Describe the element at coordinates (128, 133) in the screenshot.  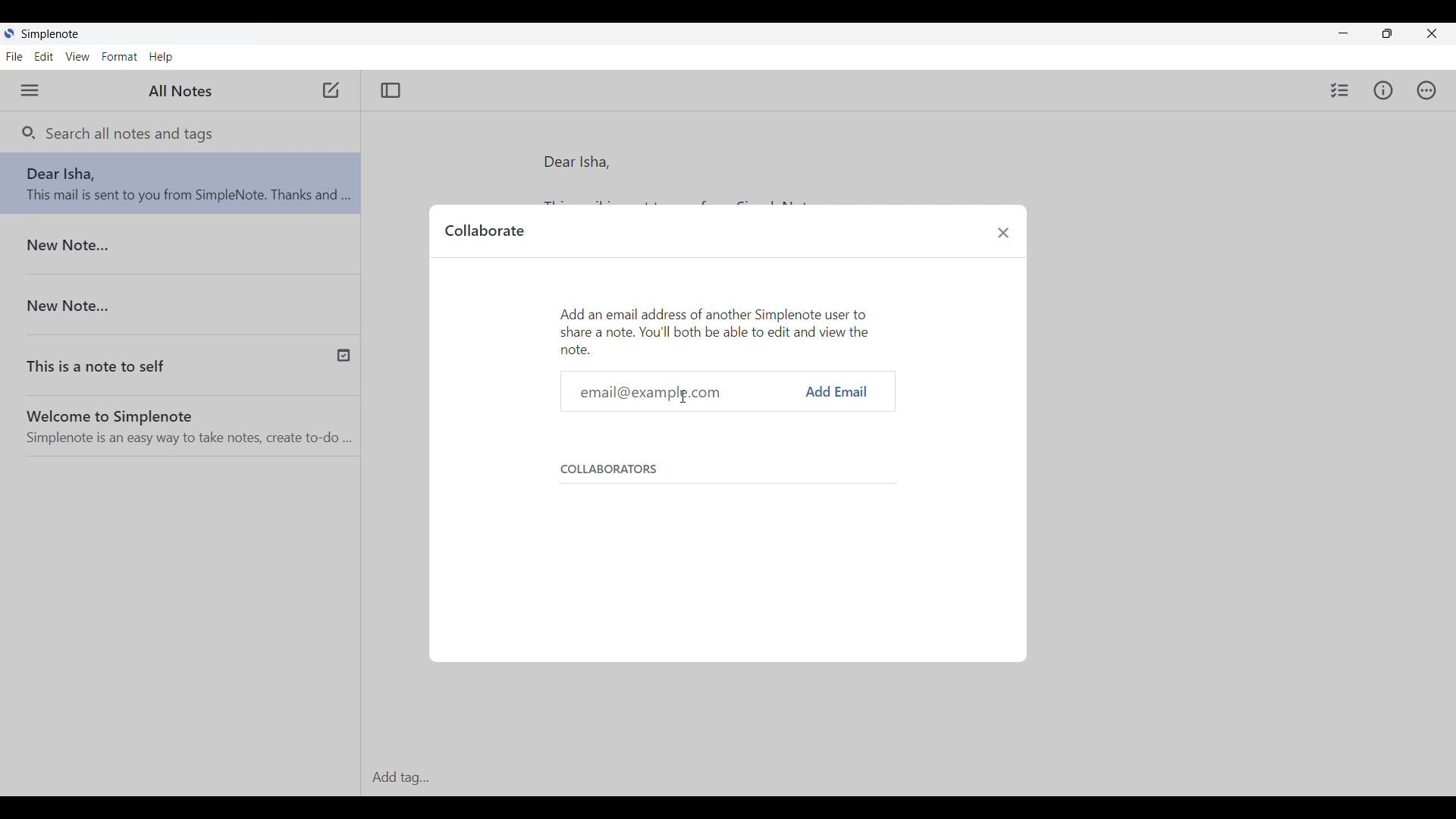
I see `Search all notes and tags` at that location.